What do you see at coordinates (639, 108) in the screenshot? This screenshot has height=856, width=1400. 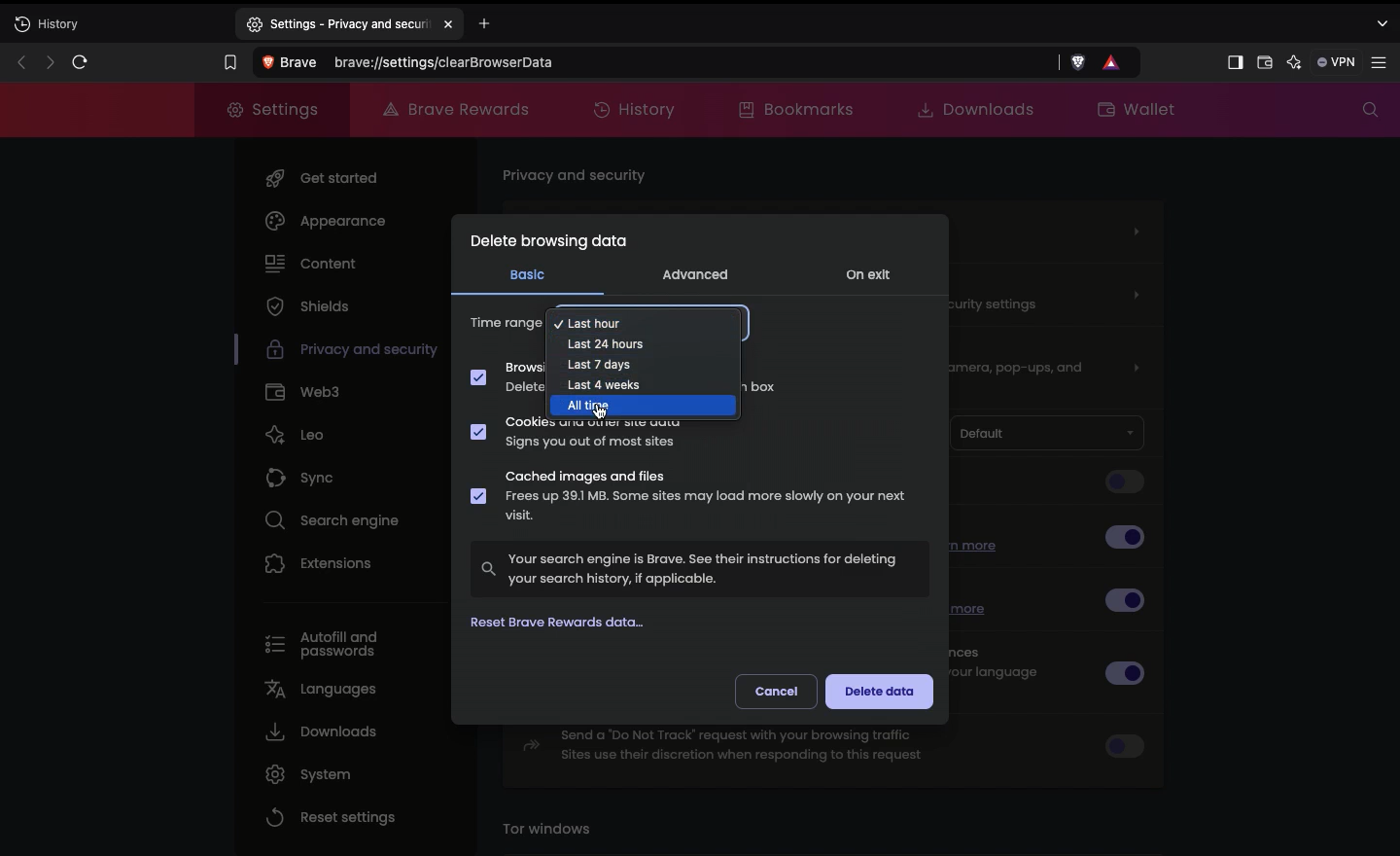 I see `History` at bounding box center [639, 108].